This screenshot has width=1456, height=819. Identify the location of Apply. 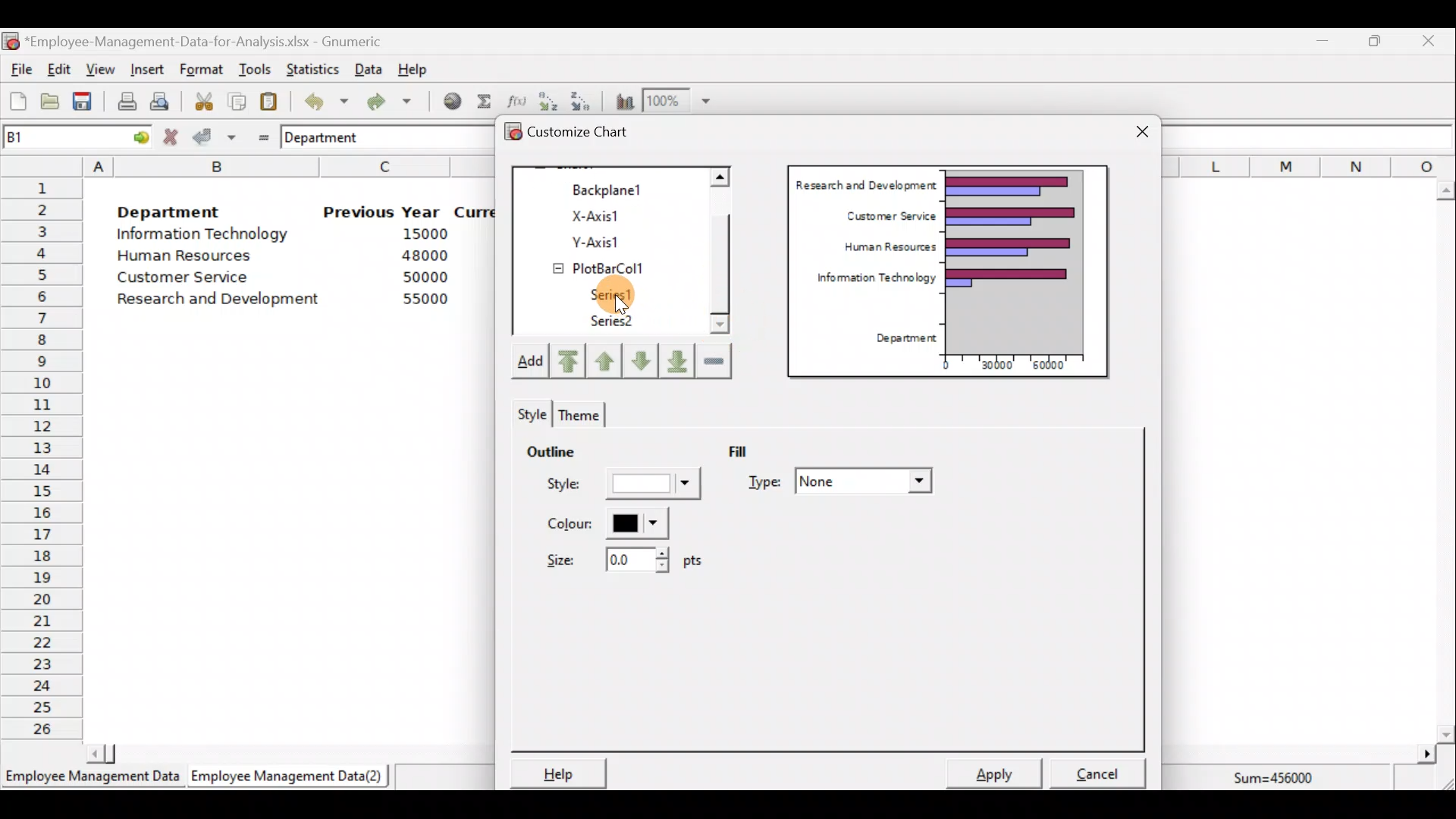
(1001, 772).